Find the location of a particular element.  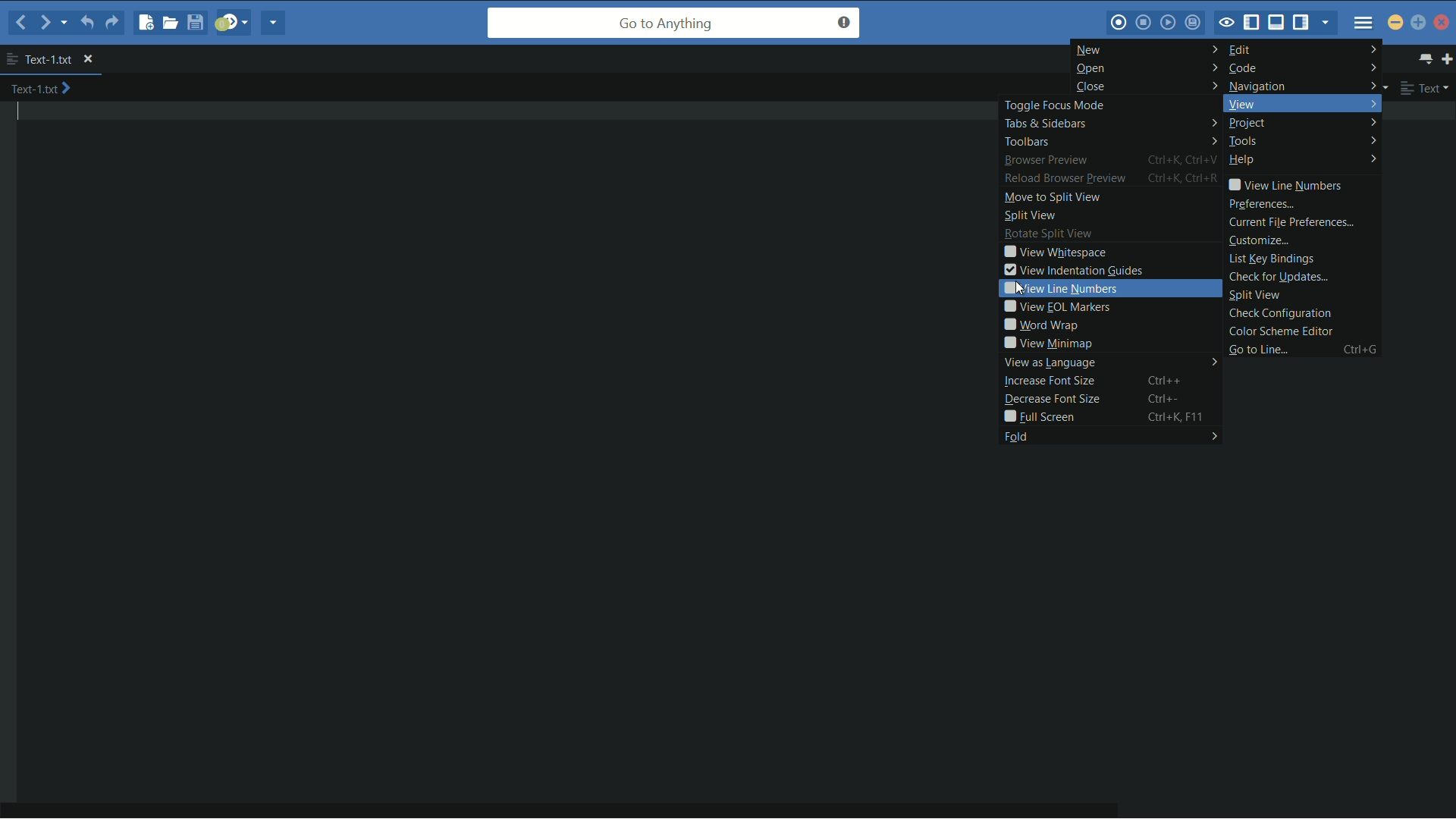

save file is located at coordinates (193, 24).